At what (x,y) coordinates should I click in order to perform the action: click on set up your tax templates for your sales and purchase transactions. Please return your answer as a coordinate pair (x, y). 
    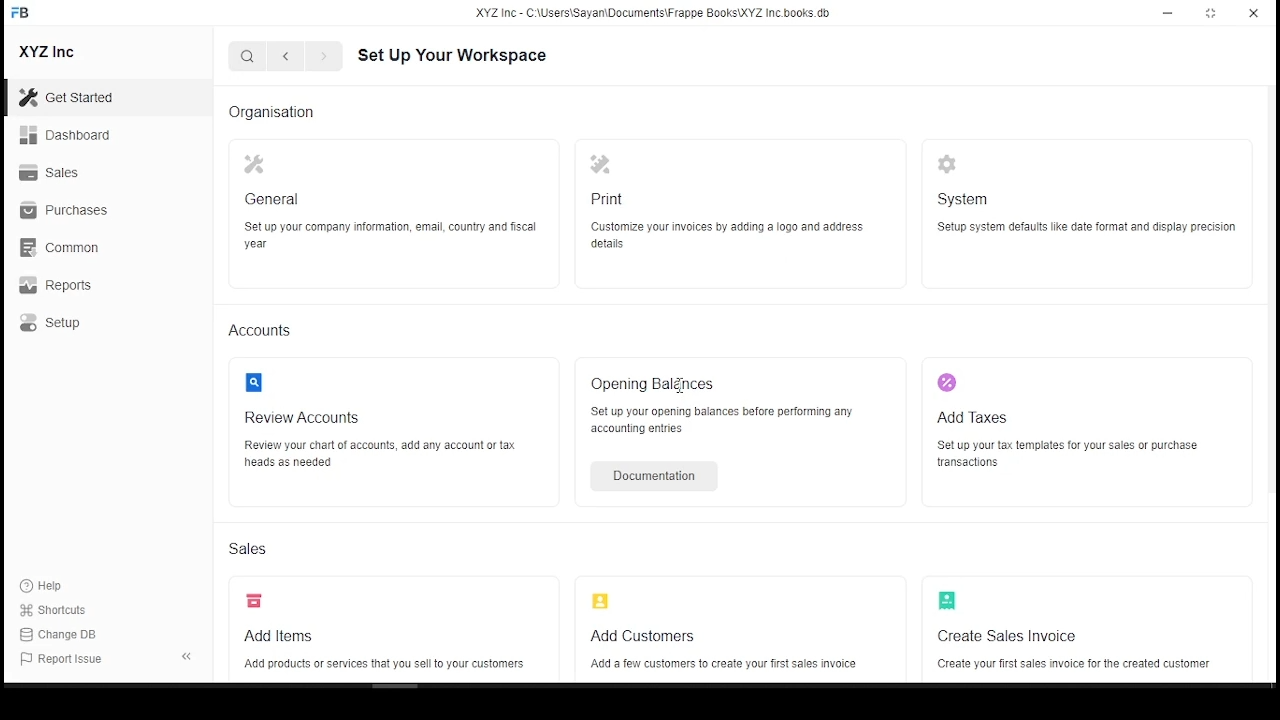
    Looking at the image, I should click on (1067, 454).